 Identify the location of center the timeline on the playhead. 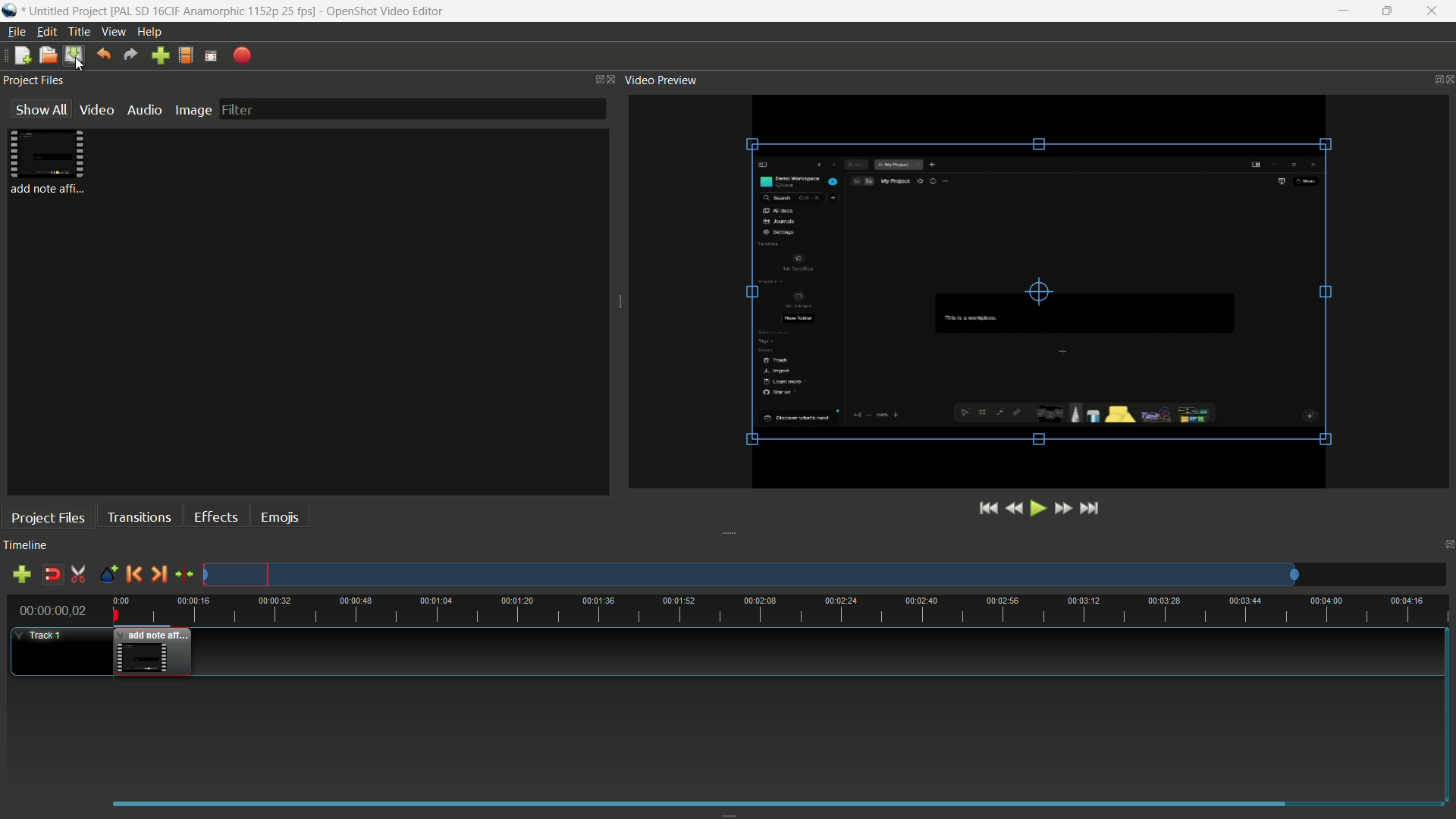
(185, 575).